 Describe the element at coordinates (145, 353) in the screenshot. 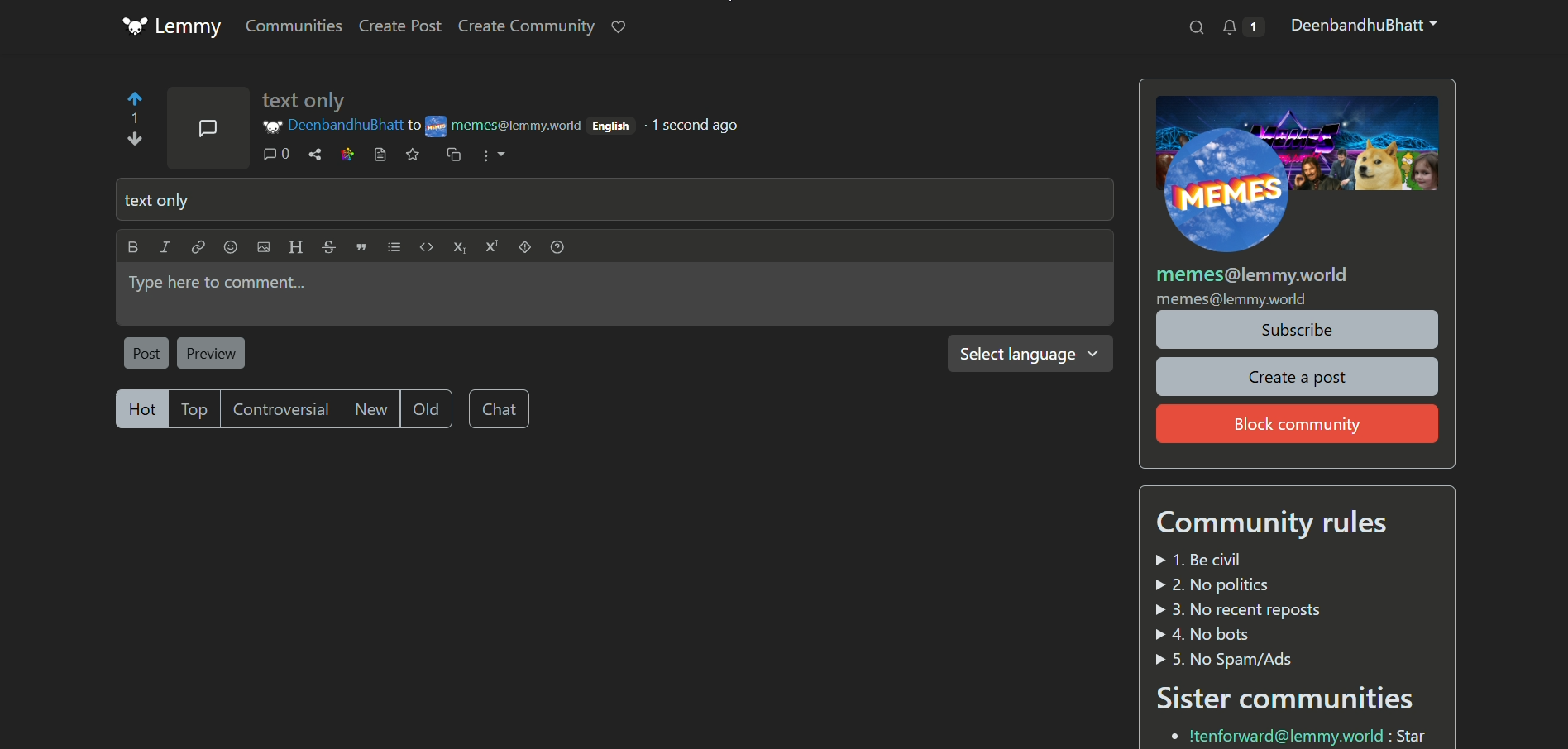

I see `post` at that location.